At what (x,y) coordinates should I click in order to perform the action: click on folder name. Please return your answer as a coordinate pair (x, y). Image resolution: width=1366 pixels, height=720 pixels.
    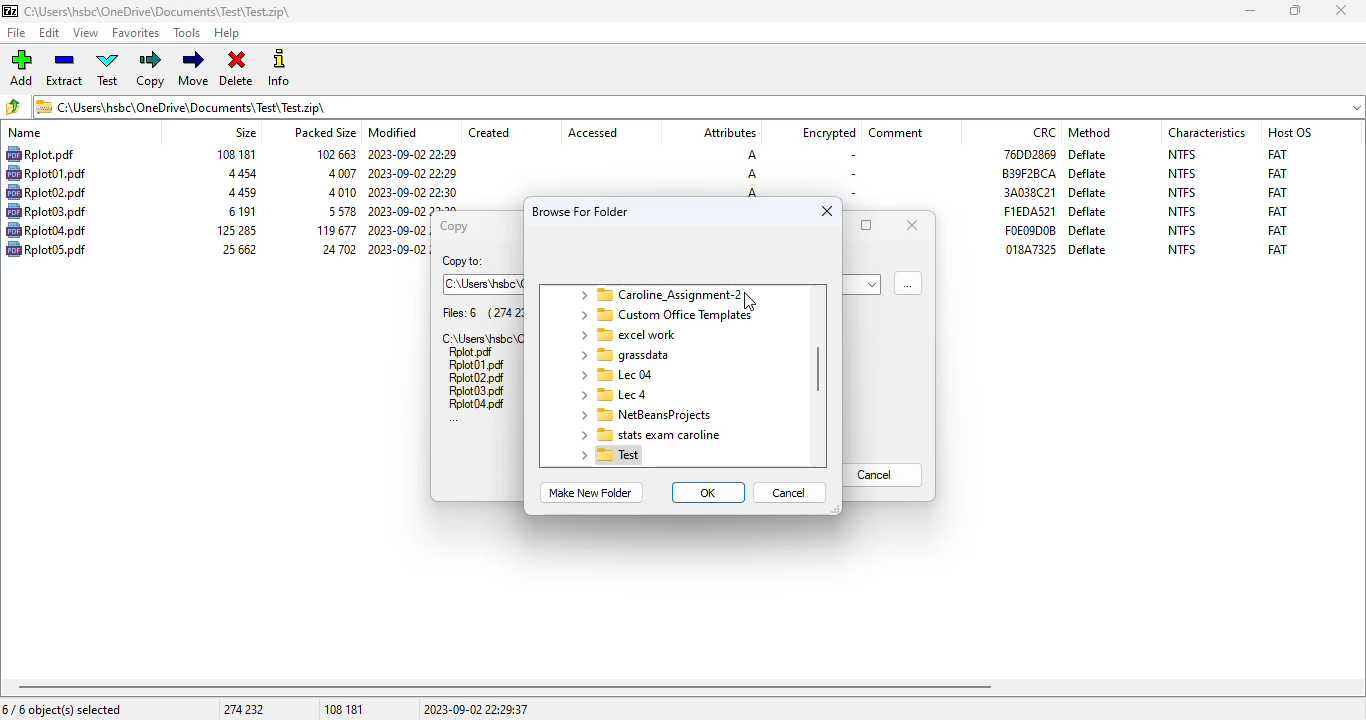
    Looking at the image, I should click on (630, 335).